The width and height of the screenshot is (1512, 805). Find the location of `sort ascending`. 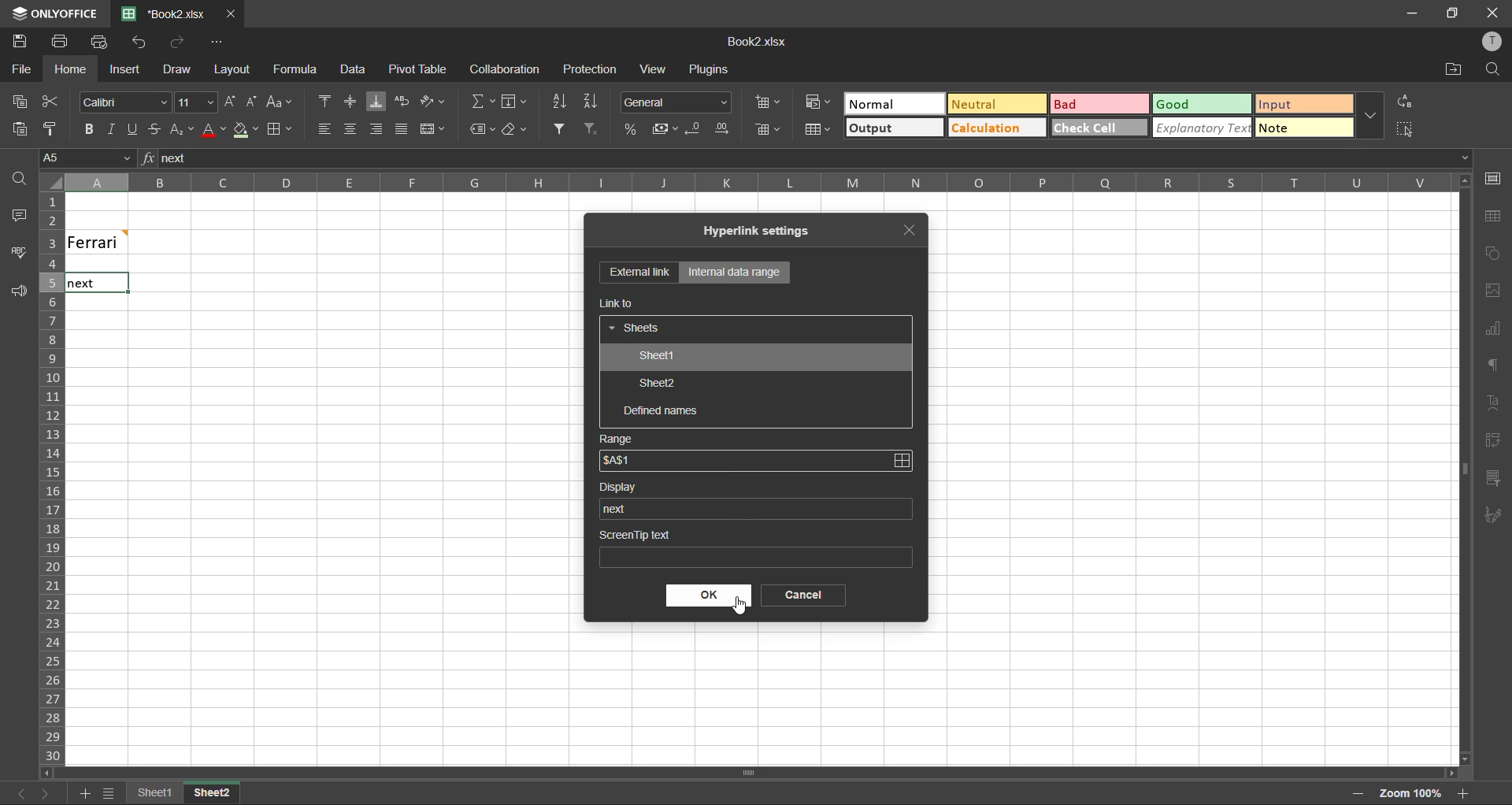

sort ascending is located at coordinates (560, 101).